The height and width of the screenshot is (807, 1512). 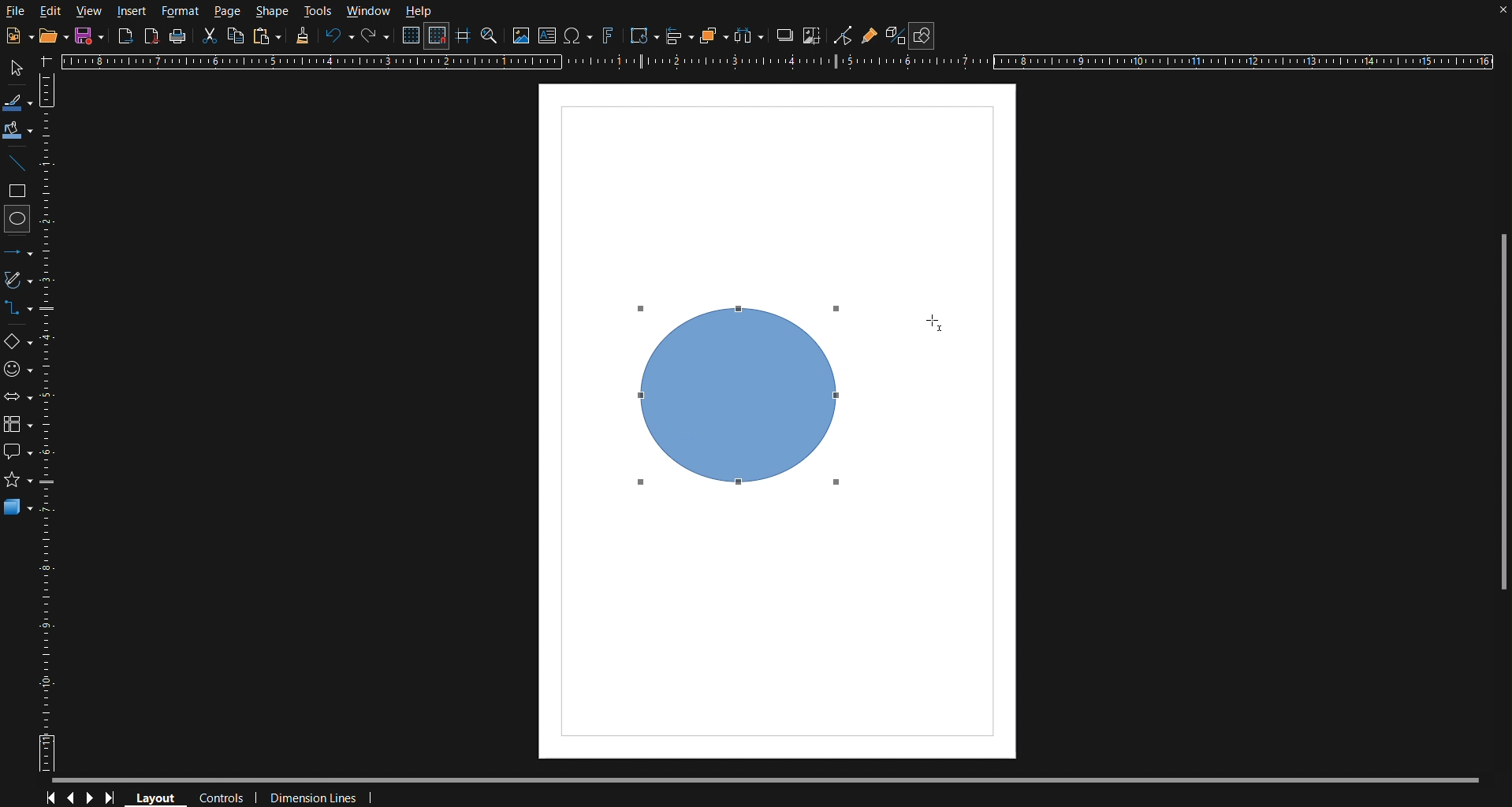 I want to click on Redo, so click(x=372, y=36).